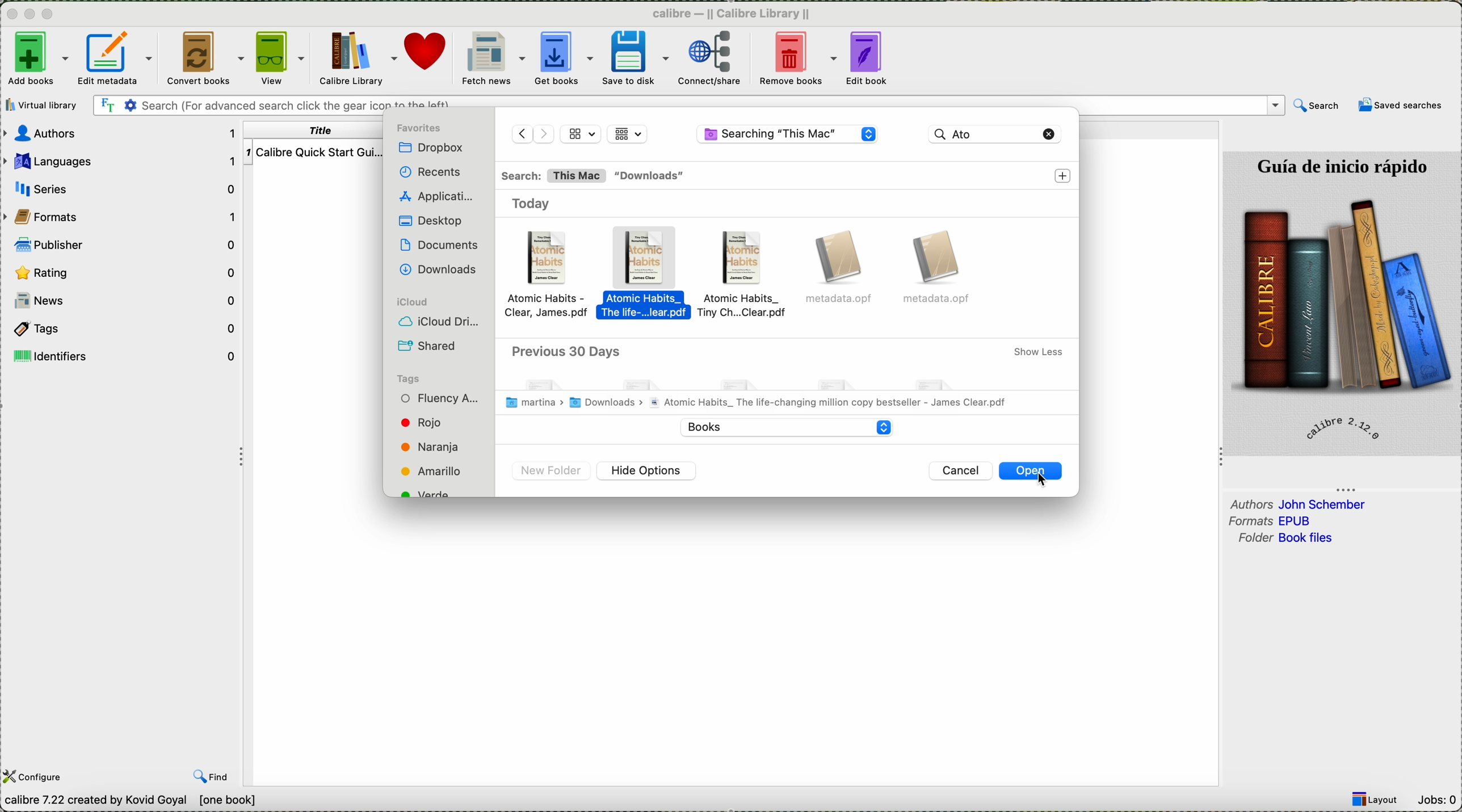 This screenshot has width=1462, height=812. What do you see at coordinates (123, 301) in the screenshot?
I see `news` at bounding box center [123, 301].